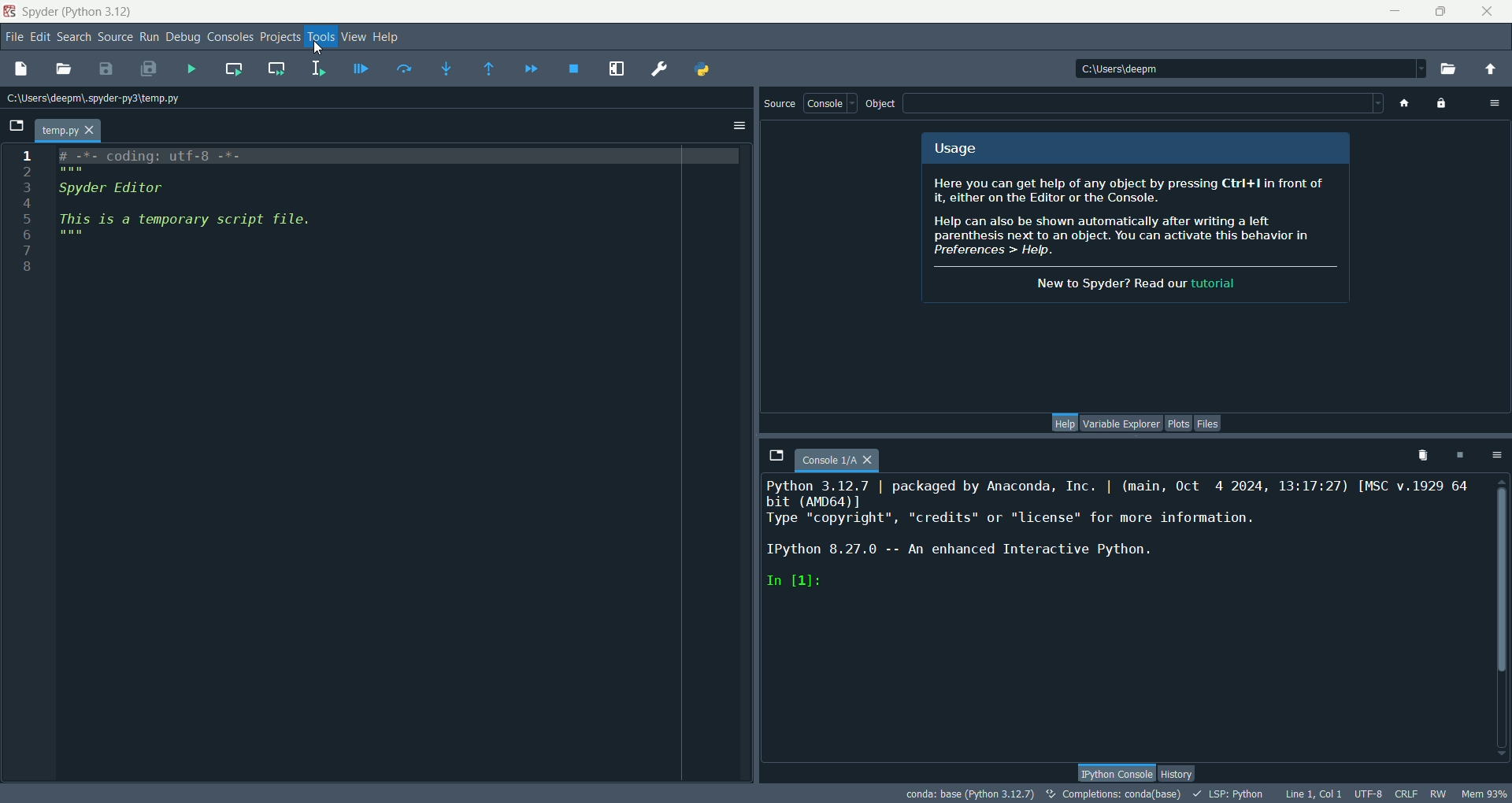 The height and width of the screenshot is (803, 1512). Describe the element at coordinates (350, 35) in the screenshot. I see `view` at that location.